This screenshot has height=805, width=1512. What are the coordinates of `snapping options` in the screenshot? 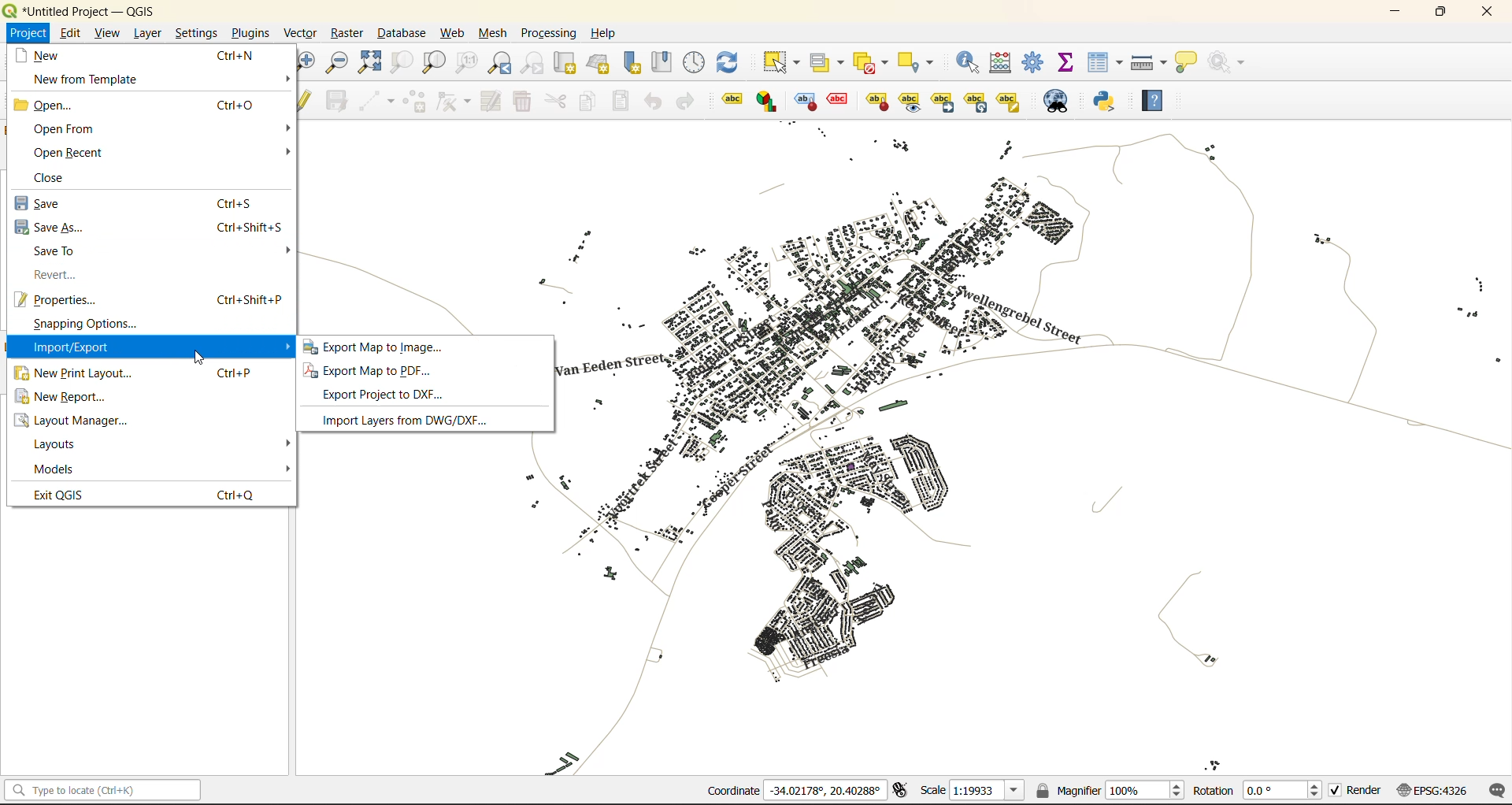 It's located at (83, 325).